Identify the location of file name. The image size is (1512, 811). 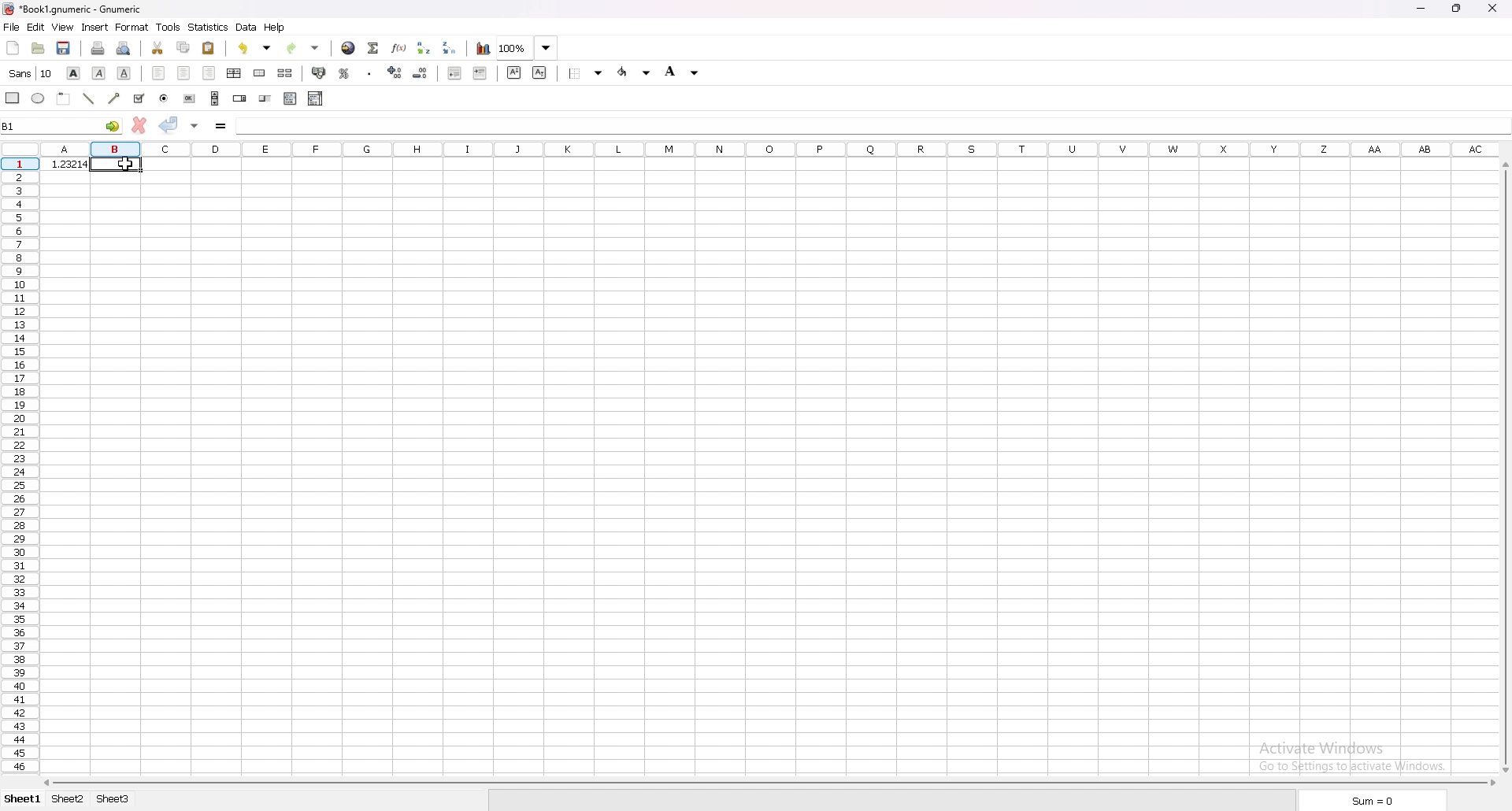
(69, 9).